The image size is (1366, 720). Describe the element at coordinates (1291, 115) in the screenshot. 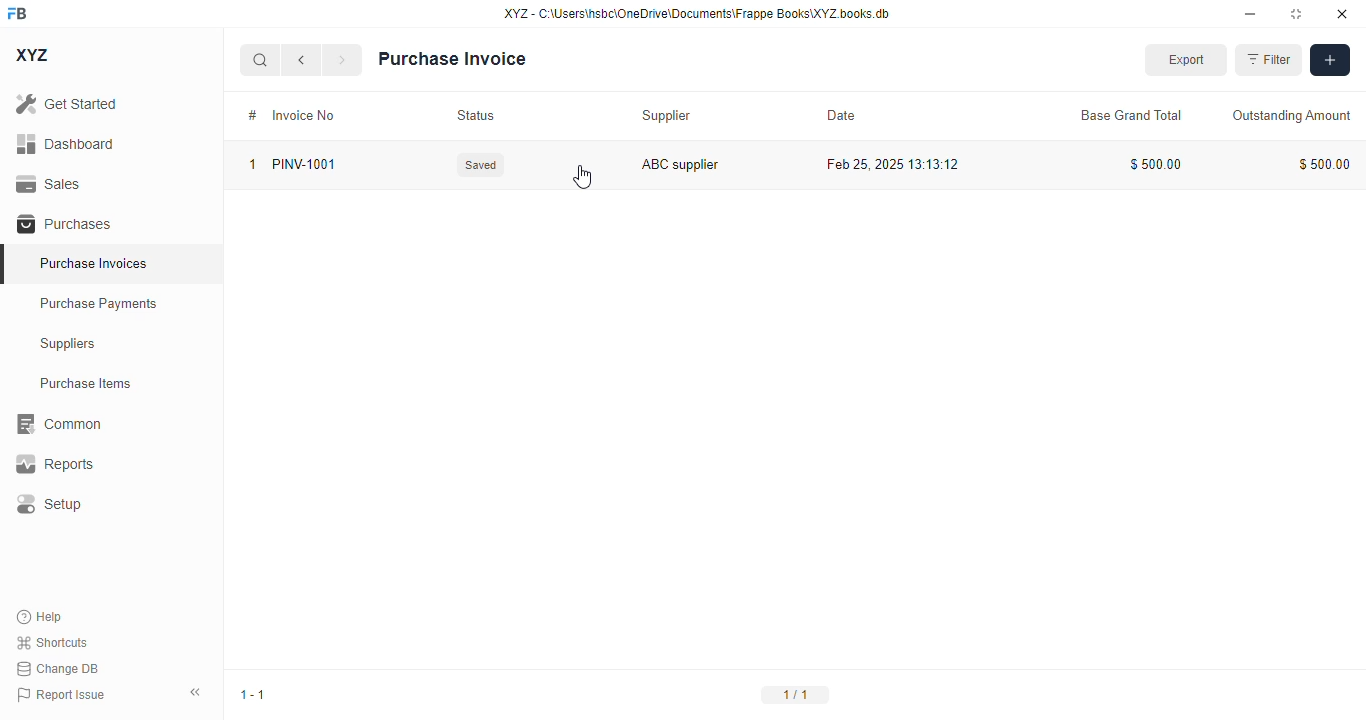

I see `outstanding amount` at that location.